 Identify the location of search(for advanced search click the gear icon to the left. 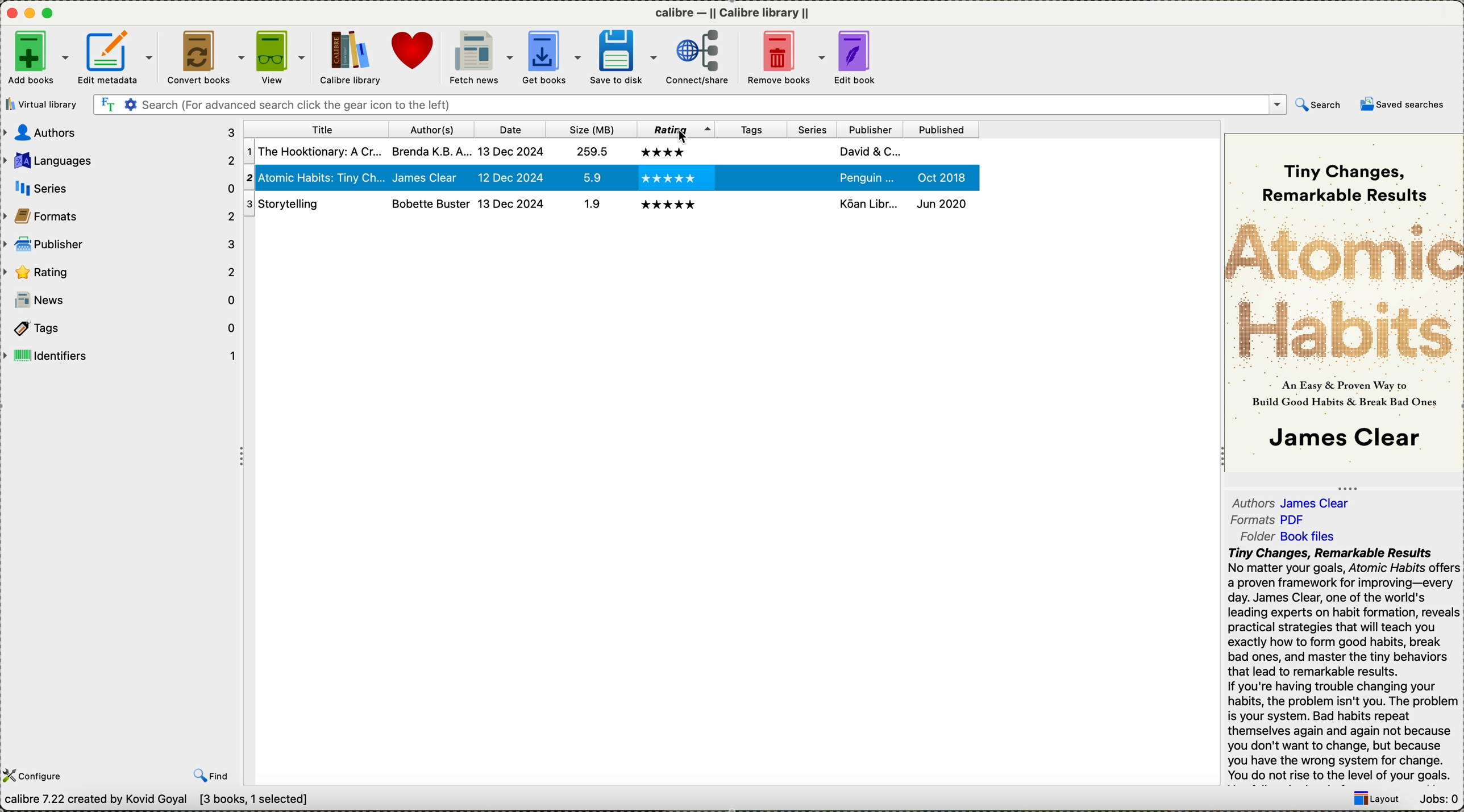
(690, 105).